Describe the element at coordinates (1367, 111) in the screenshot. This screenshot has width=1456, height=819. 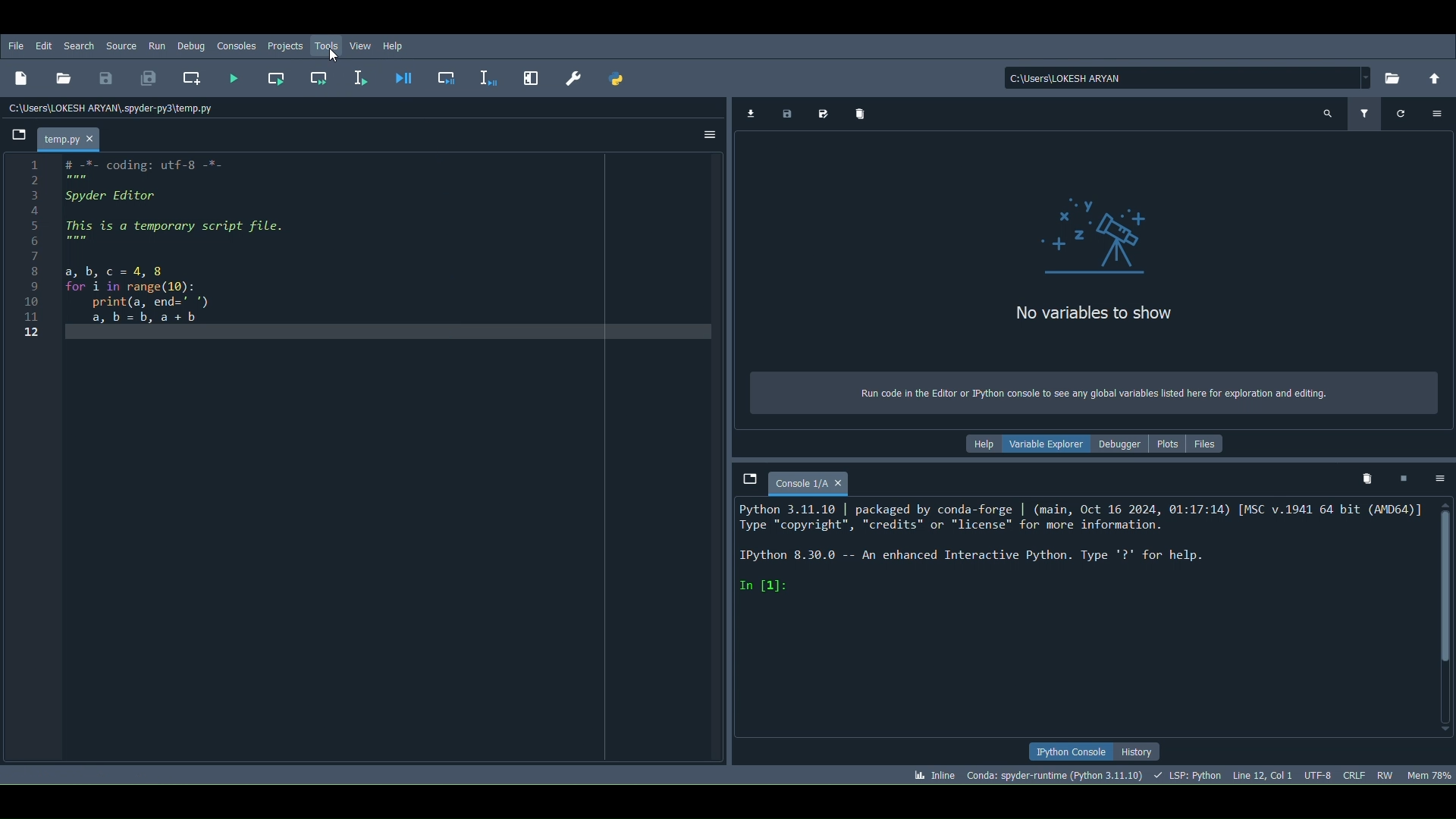
I see `Filter variables` at that location.